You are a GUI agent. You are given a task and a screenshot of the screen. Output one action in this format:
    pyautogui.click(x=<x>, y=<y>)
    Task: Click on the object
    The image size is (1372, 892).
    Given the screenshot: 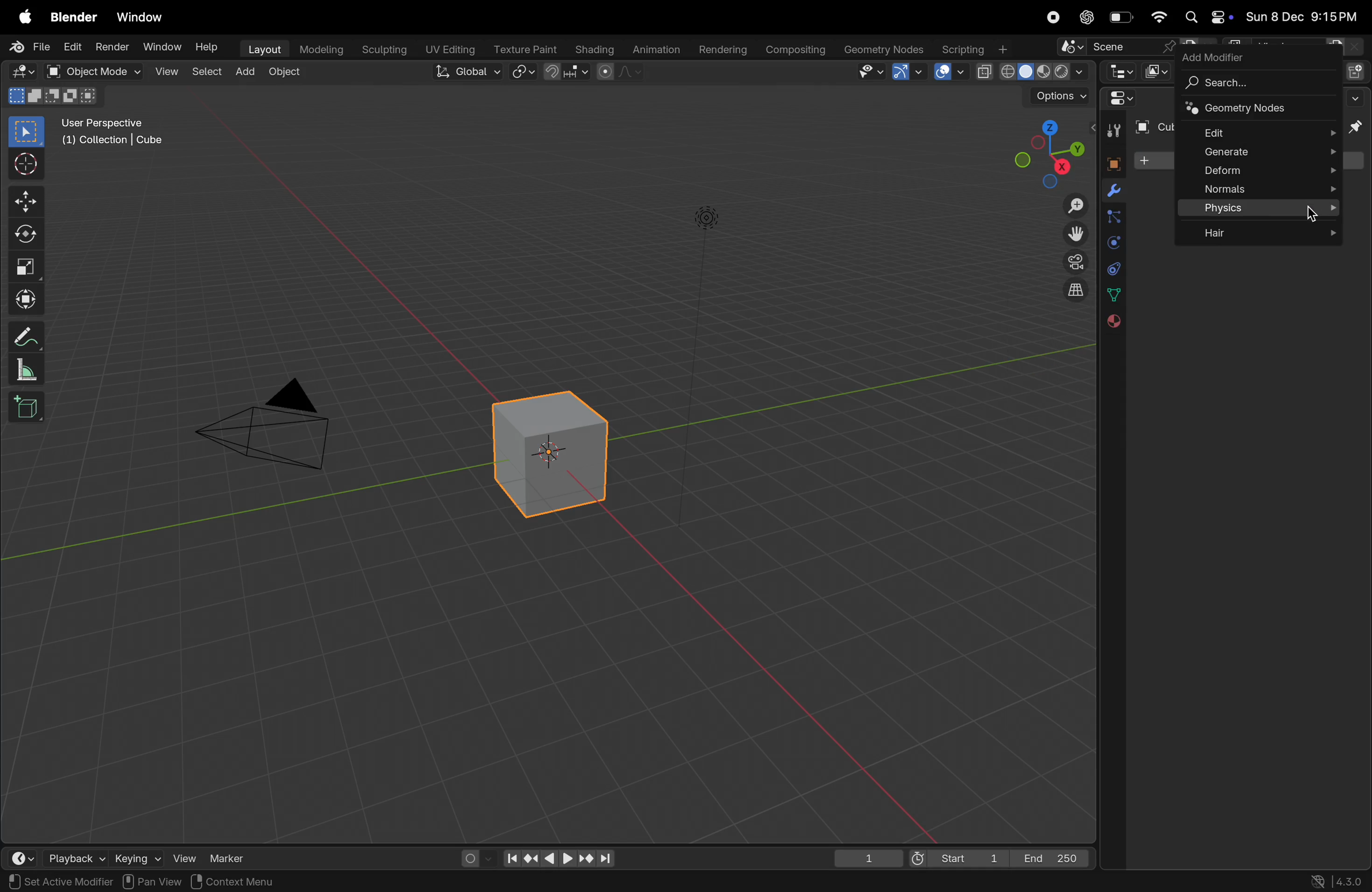 What is the action you would take?
    pyautogui.click(x=211, y=882)
    